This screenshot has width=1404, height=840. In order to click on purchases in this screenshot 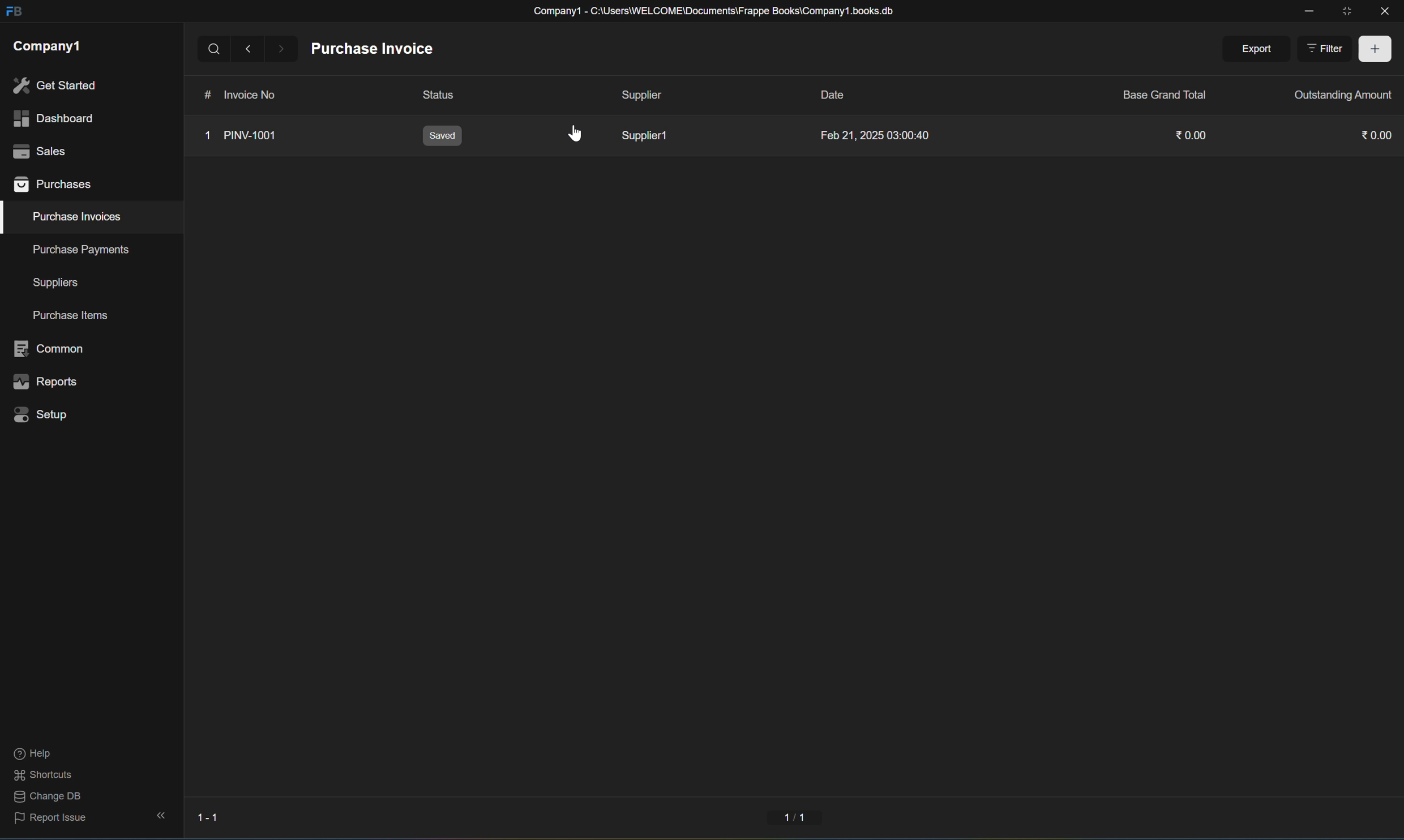, I will do `click(54, 186)`.